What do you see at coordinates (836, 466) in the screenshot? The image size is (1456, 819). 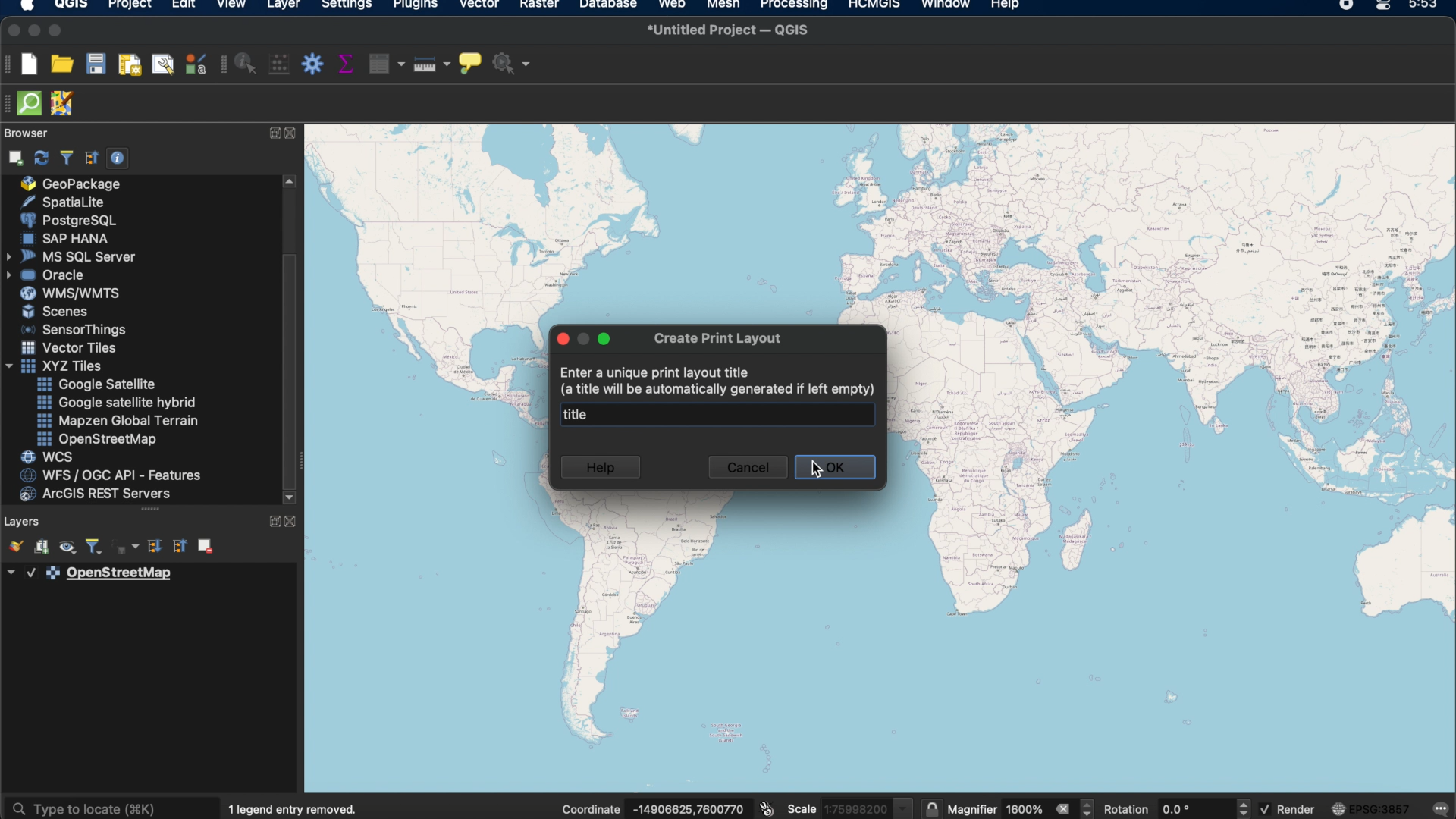 I see `ok` at bounding box center [836, 466].